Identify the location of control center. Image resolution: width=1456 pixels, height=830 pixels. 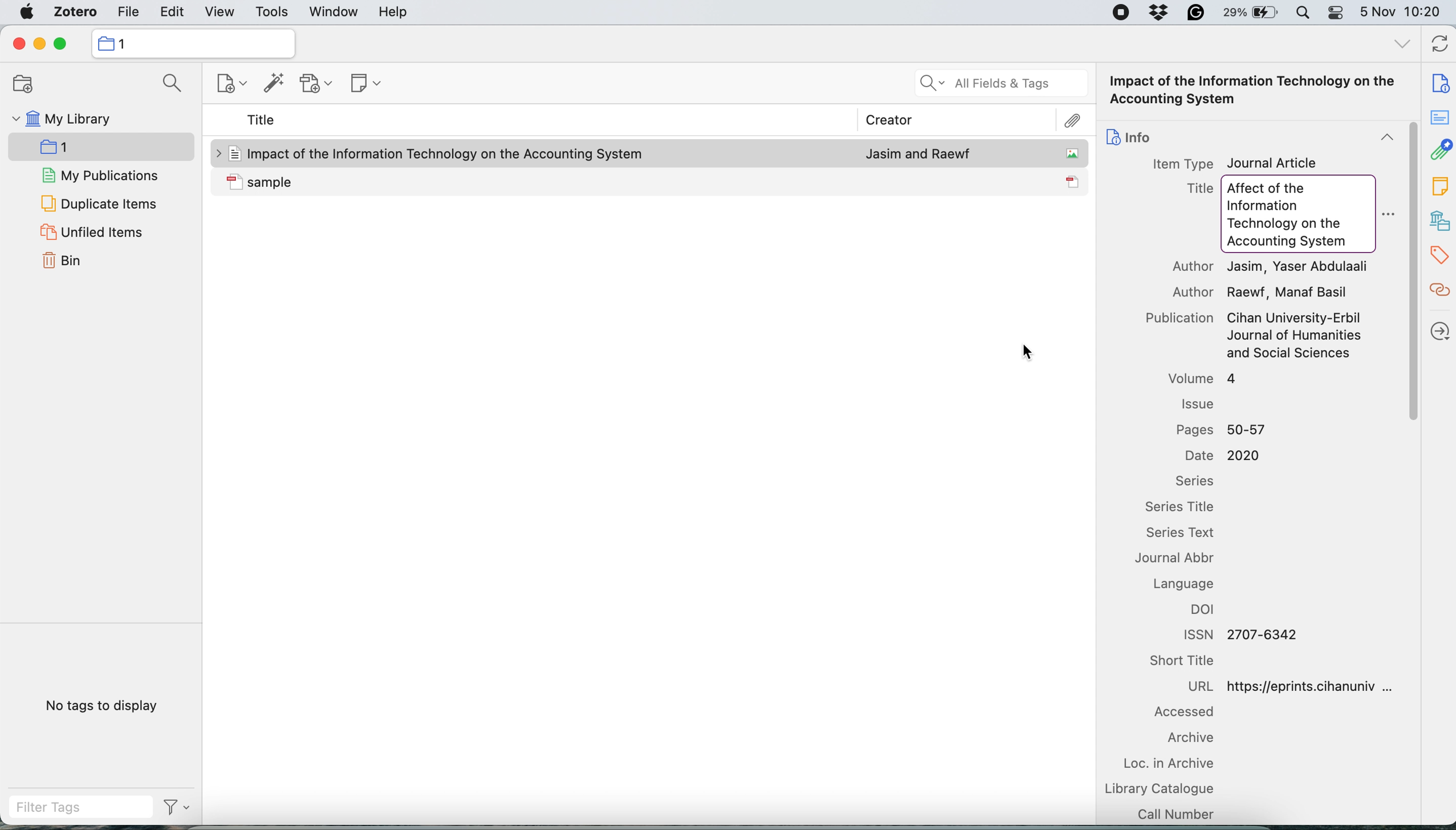
(1338, 14).